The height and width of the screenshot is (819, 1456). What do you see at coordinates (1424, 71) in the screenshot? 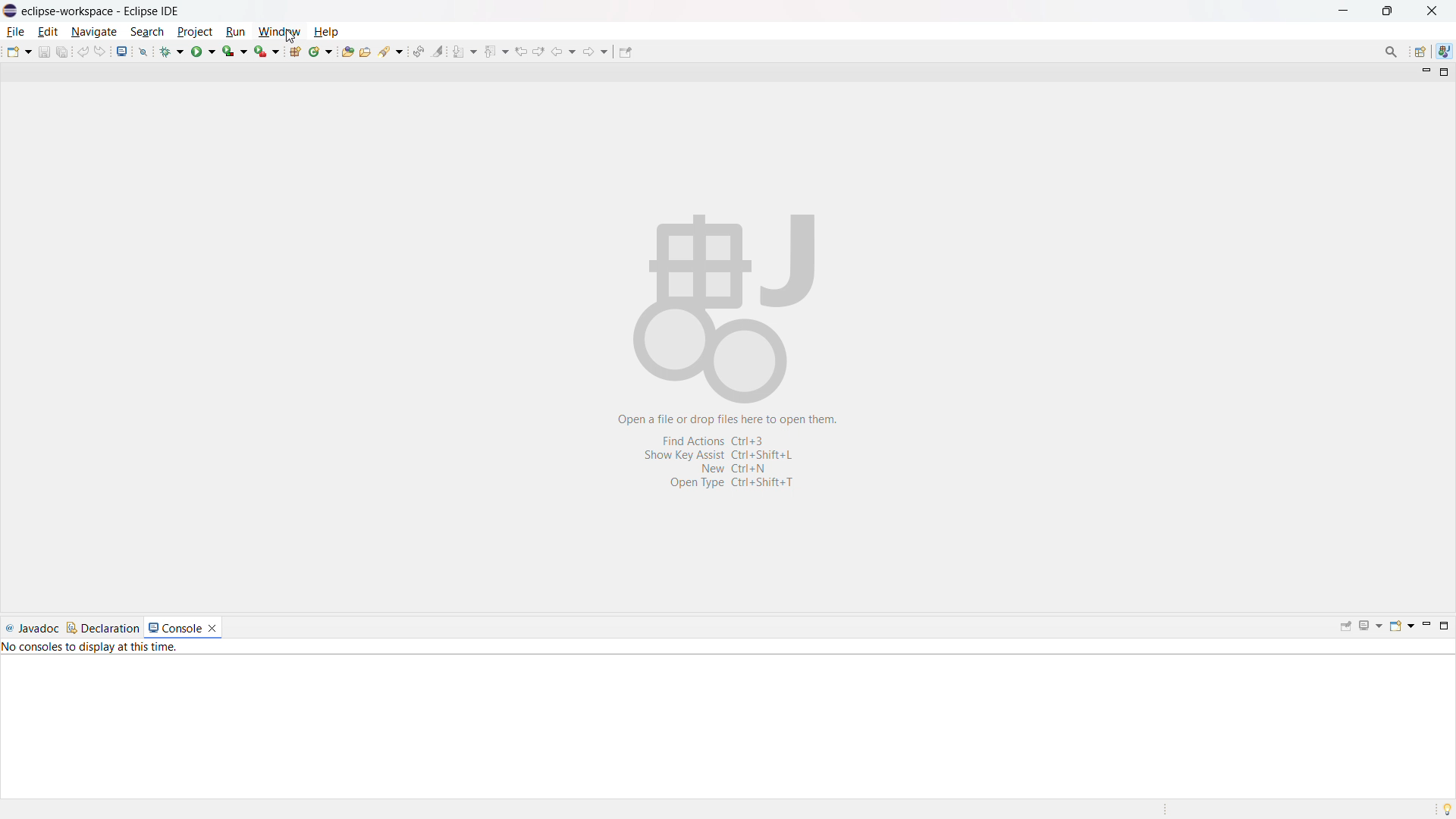
I see `minimize` at bounding box center [1424, 71].